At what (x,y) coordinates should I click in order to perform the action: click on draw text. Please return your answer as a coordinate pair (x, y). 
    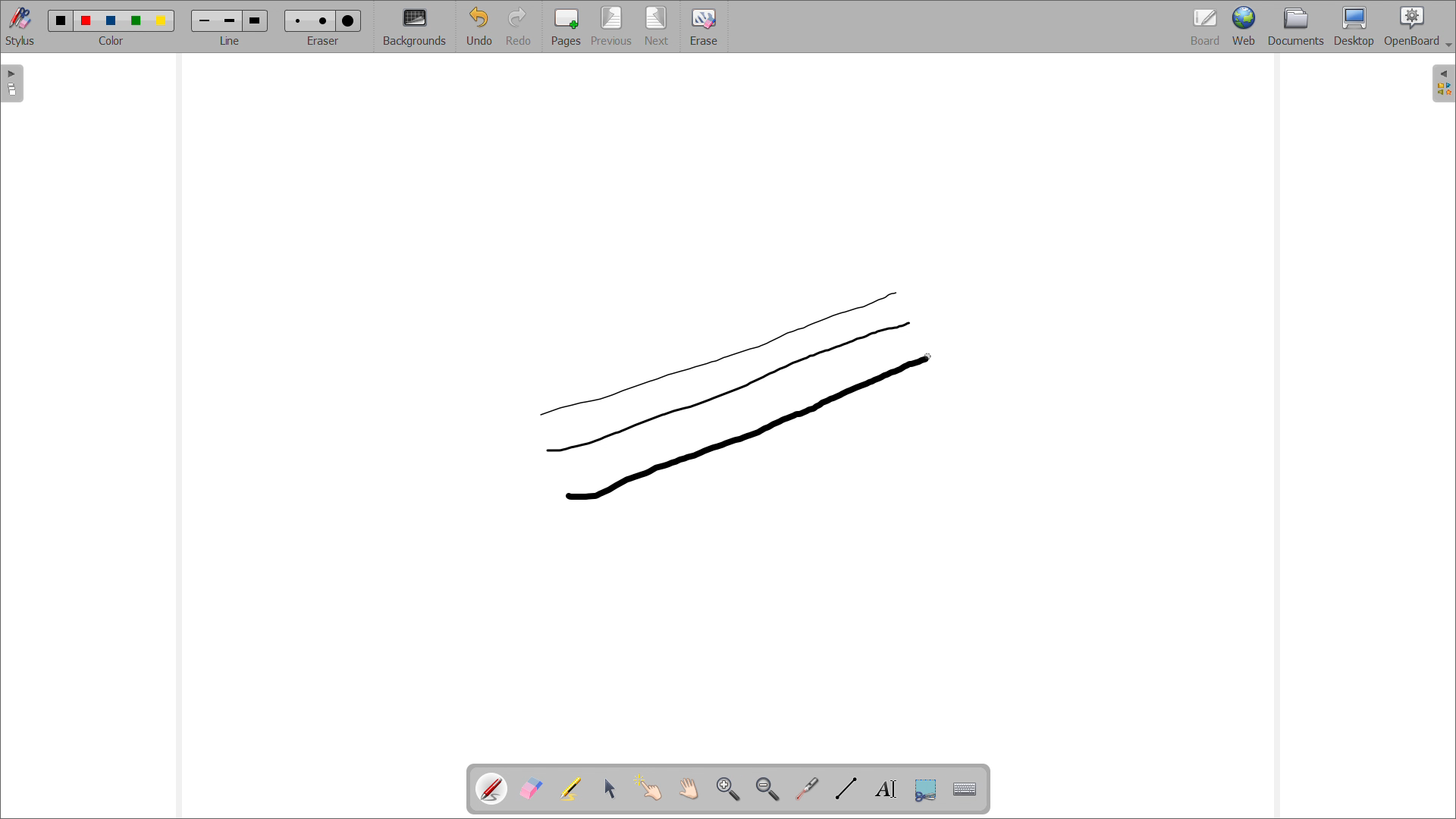
    Looking at the image, I should click on (887, 789).